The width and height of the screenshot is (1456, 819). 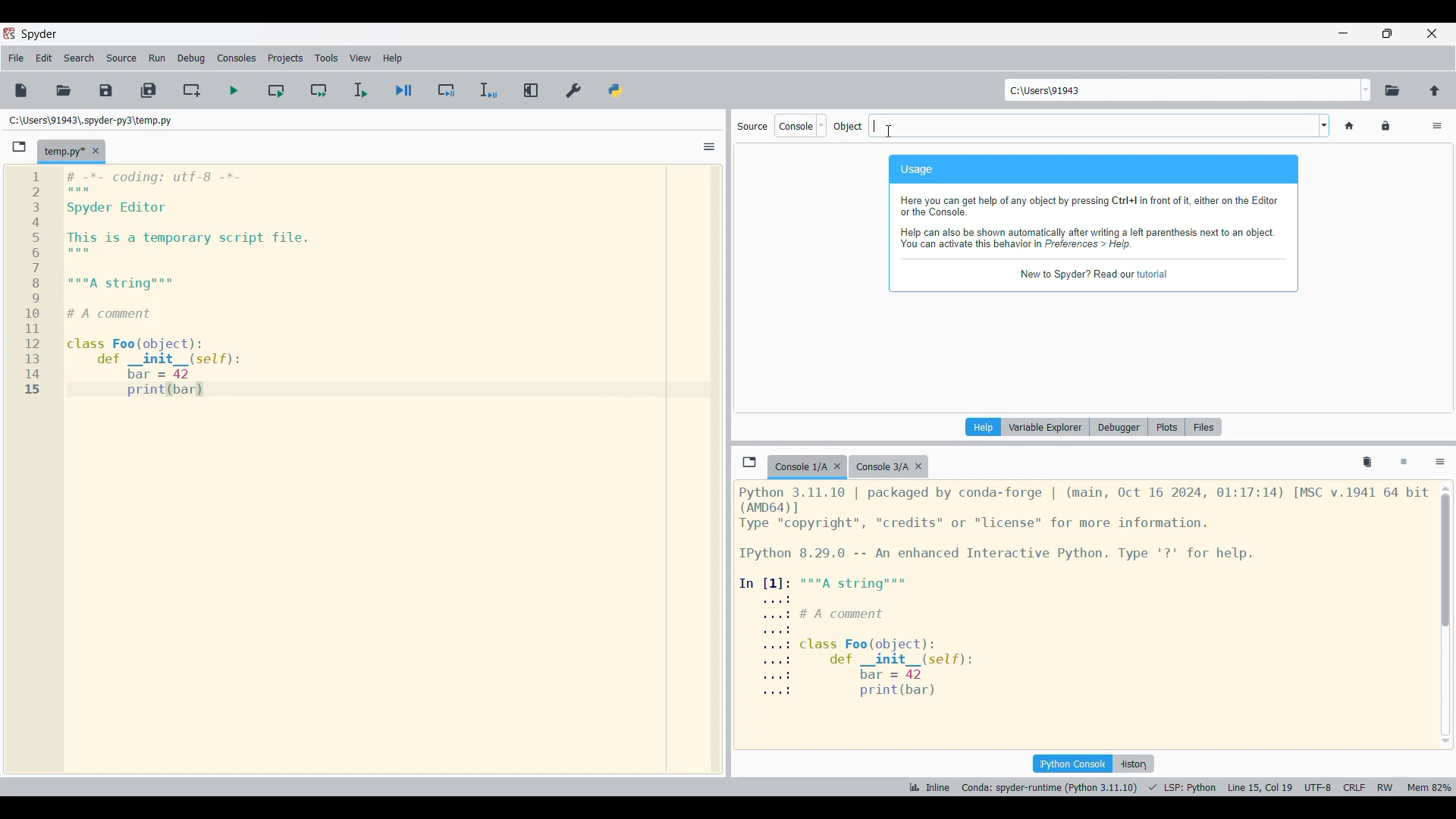 What do you see at coordinates (1448, 617) in the screenshot?
I see `scrollbar` at bounding box center [1448, 617].